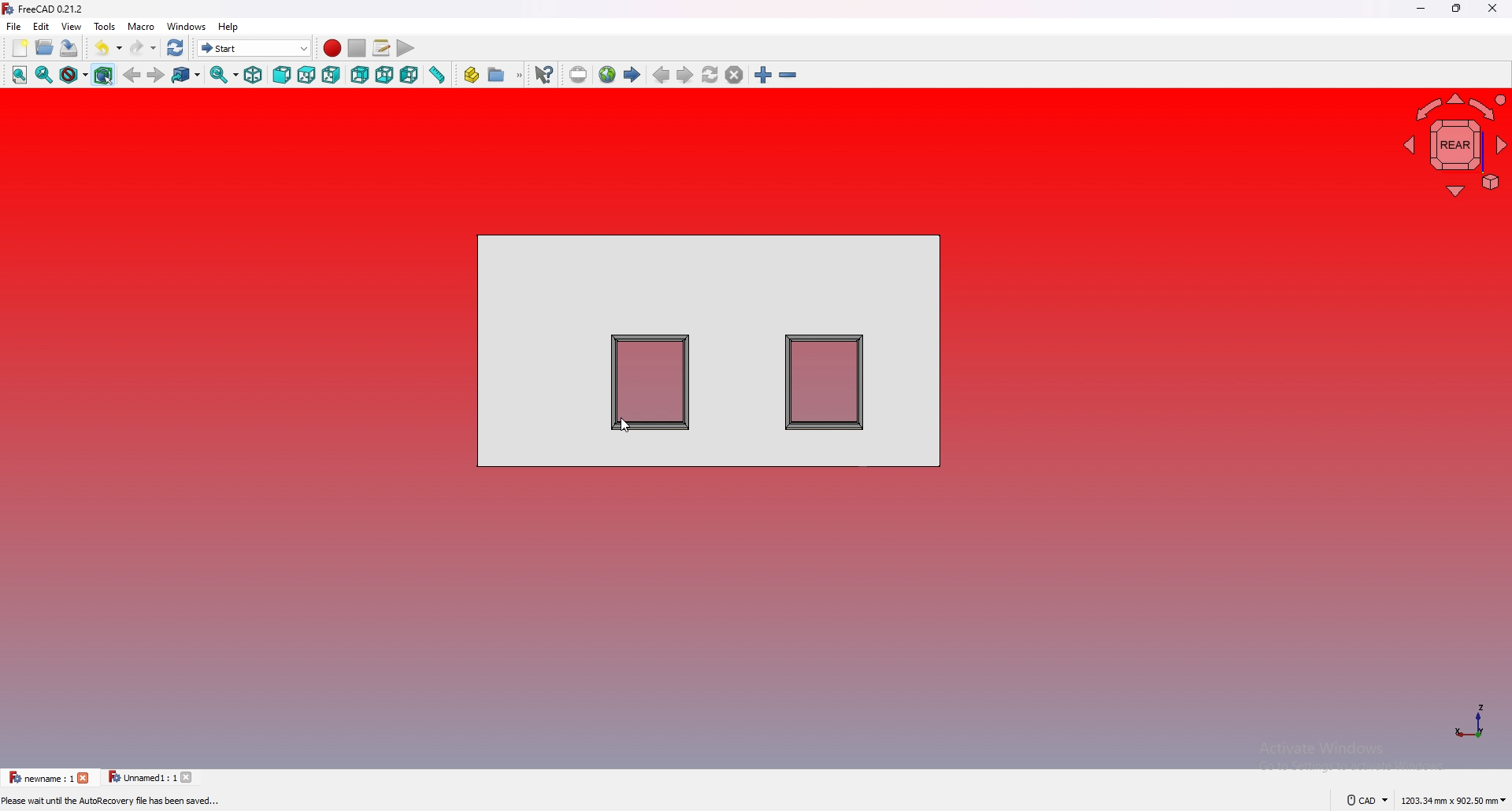 This screenshot has height=811, width=1512. What do you see at coordinates (472, 76) in the screenshot?
I see `create part` at bounding box center [472, 76].